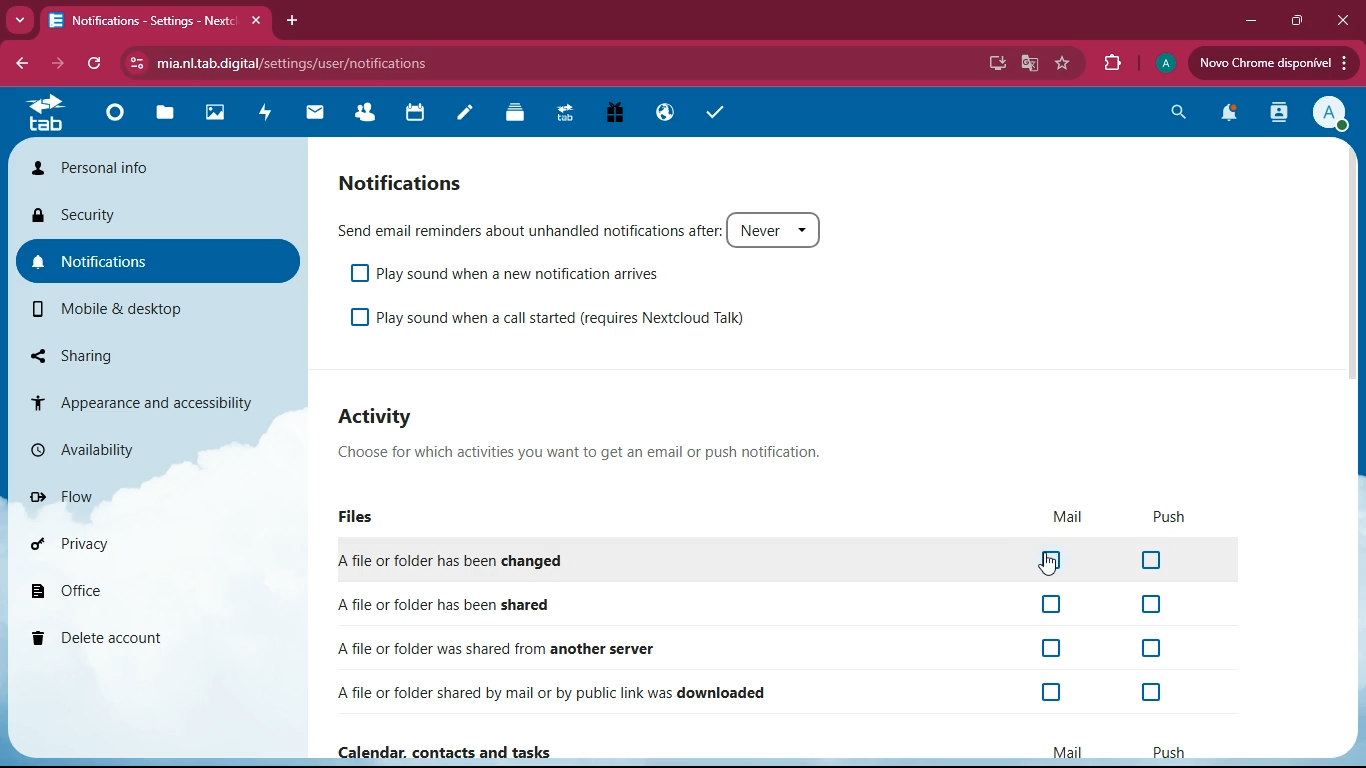 This screenshot has height=768, width=1366. I want to click on description, so click(587, 451).